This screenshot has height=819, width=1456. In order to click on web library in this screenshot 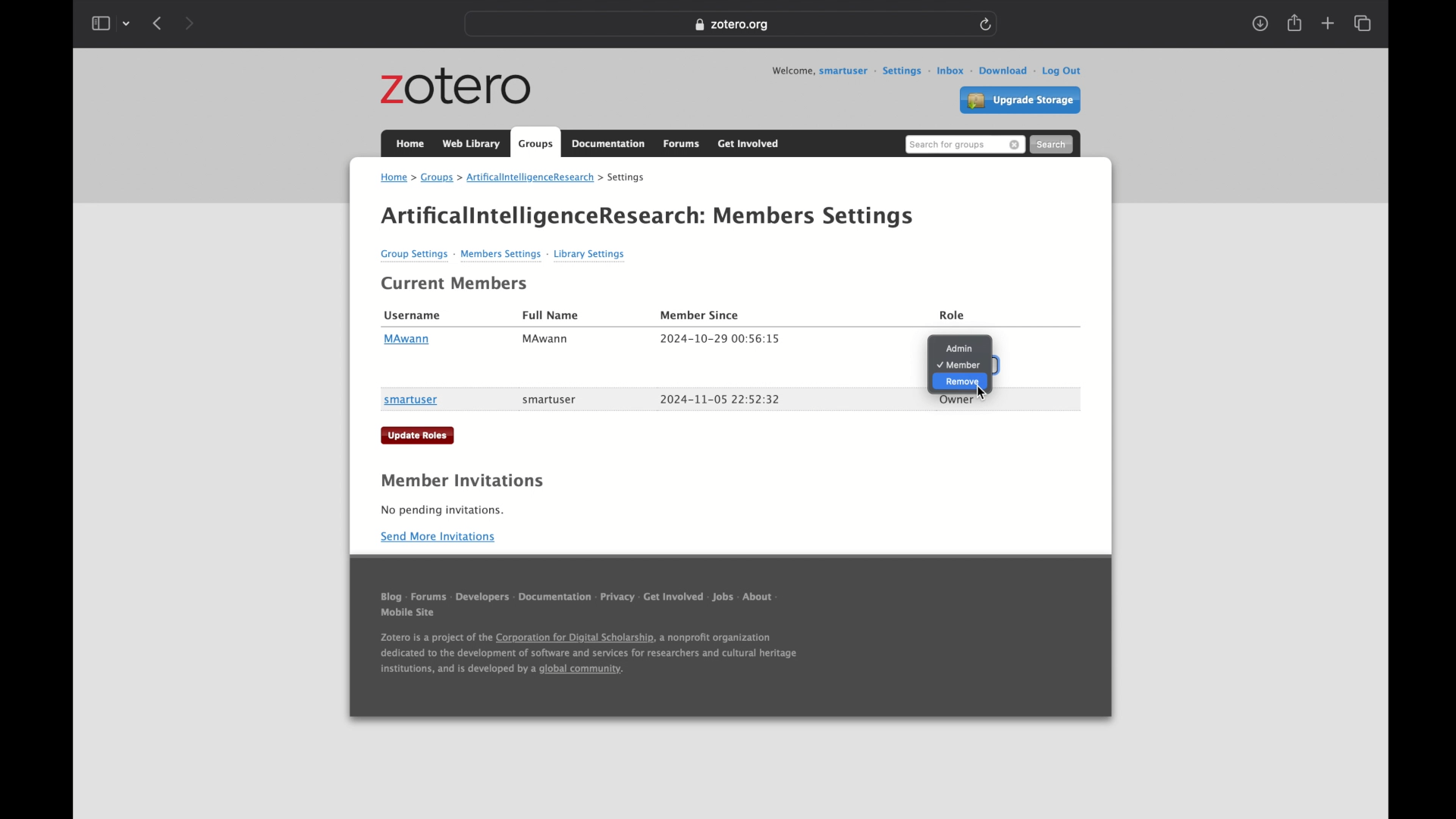, I will do `click(472, 144)`.